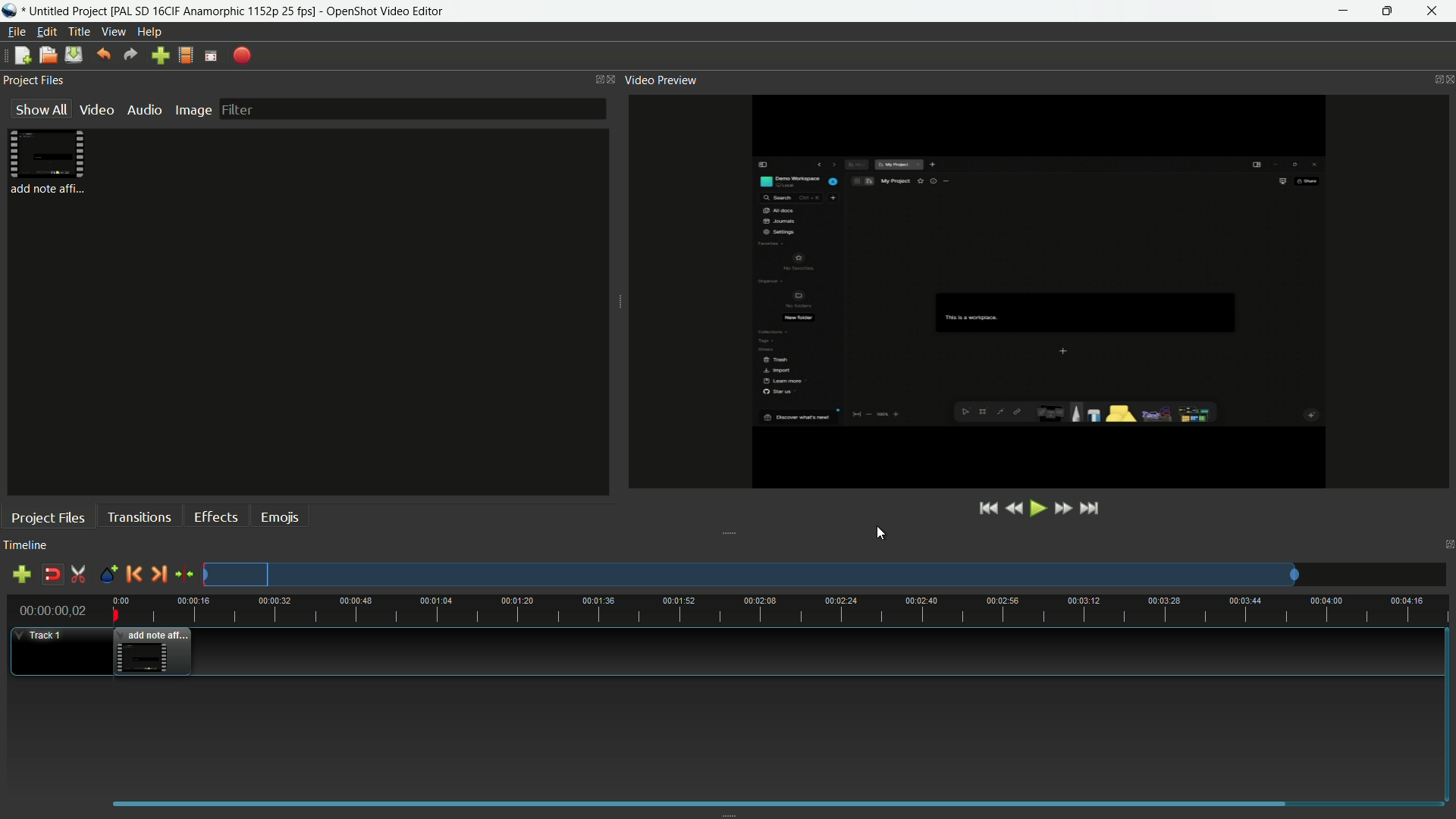 The image size is (1456, 819). I want to click on close video preview, so click(1447, 80).